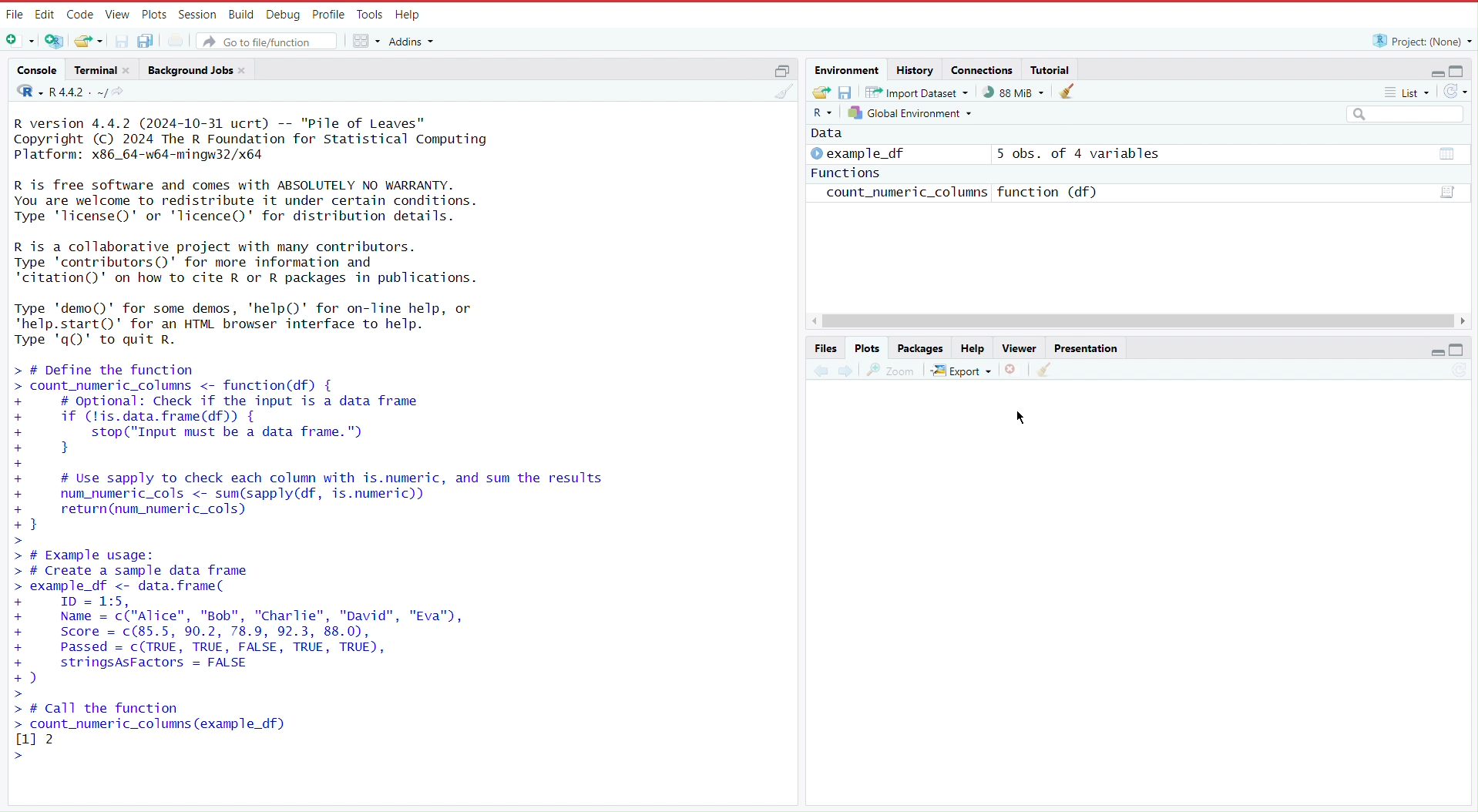 The height and width of the screenshot is (812, 1478). I want to click on Plots, so click(153, 14).